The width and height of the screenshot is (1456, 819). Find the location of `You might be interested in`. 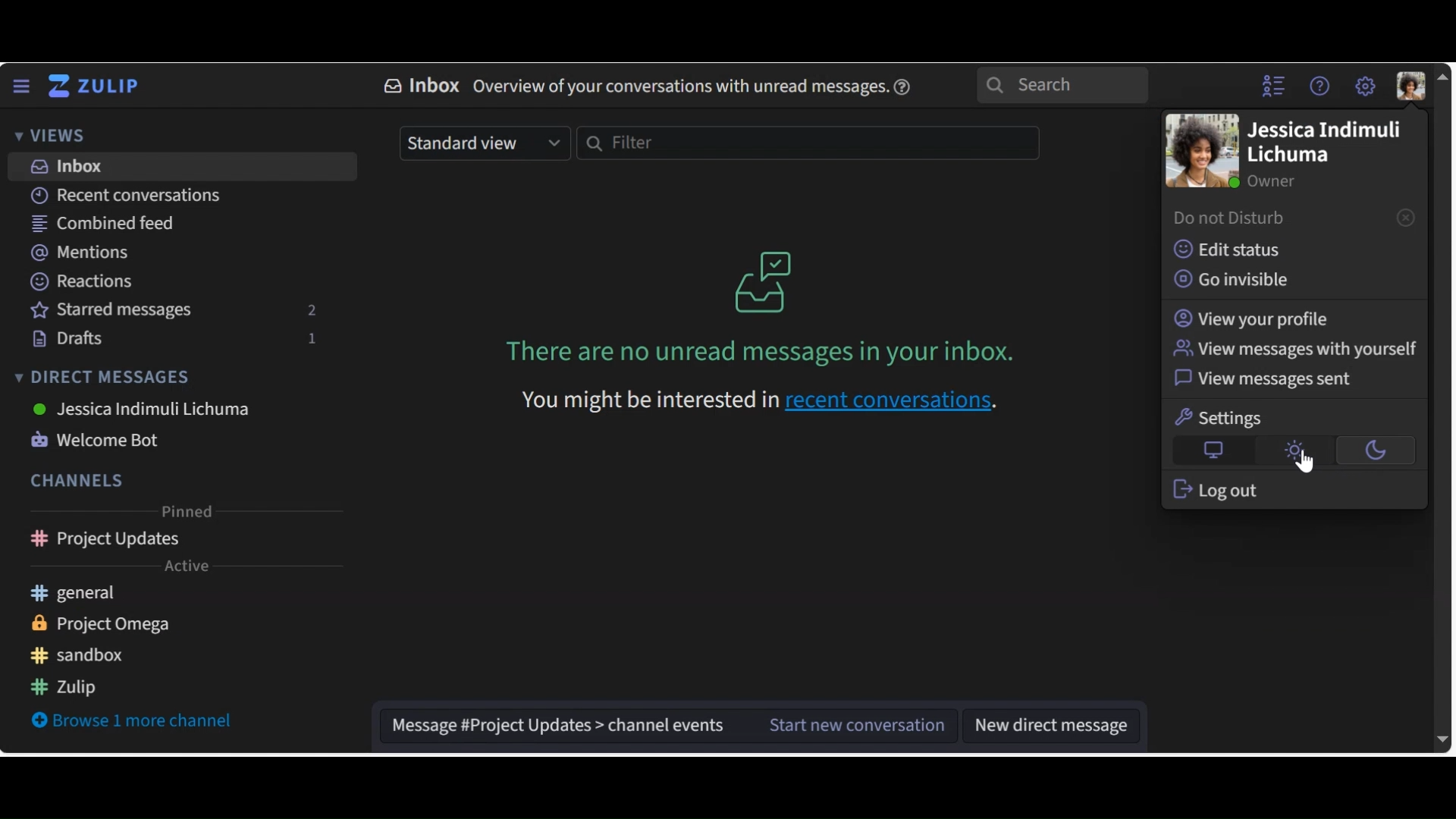

You might be interested in is located at coordinates (633, 405).